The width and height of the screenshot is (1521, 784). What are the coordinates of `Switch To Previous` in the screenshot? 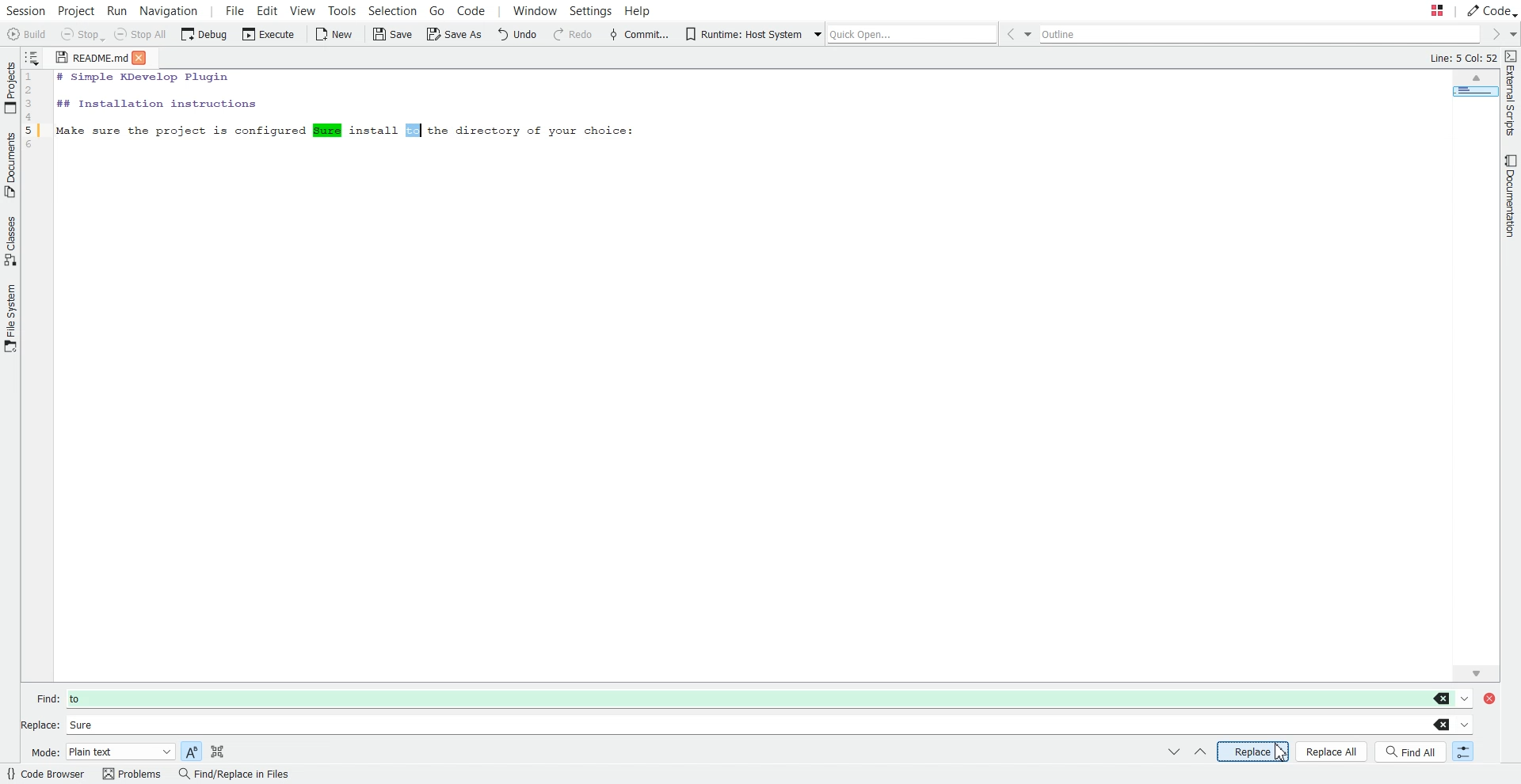 It's located at (1199, 753).